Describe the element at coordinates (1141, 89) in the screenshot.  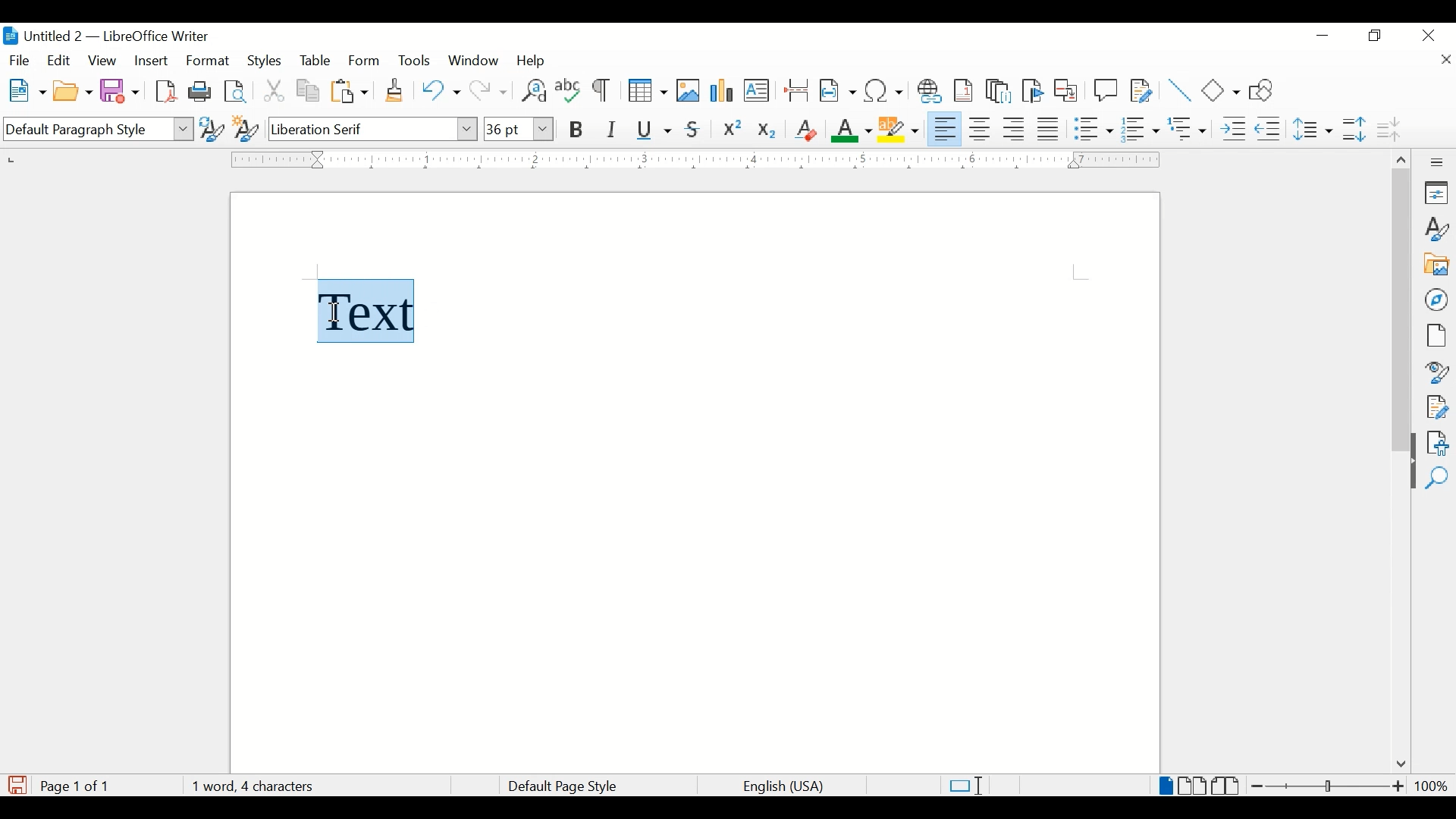
I see `show track changes functions` at that location.